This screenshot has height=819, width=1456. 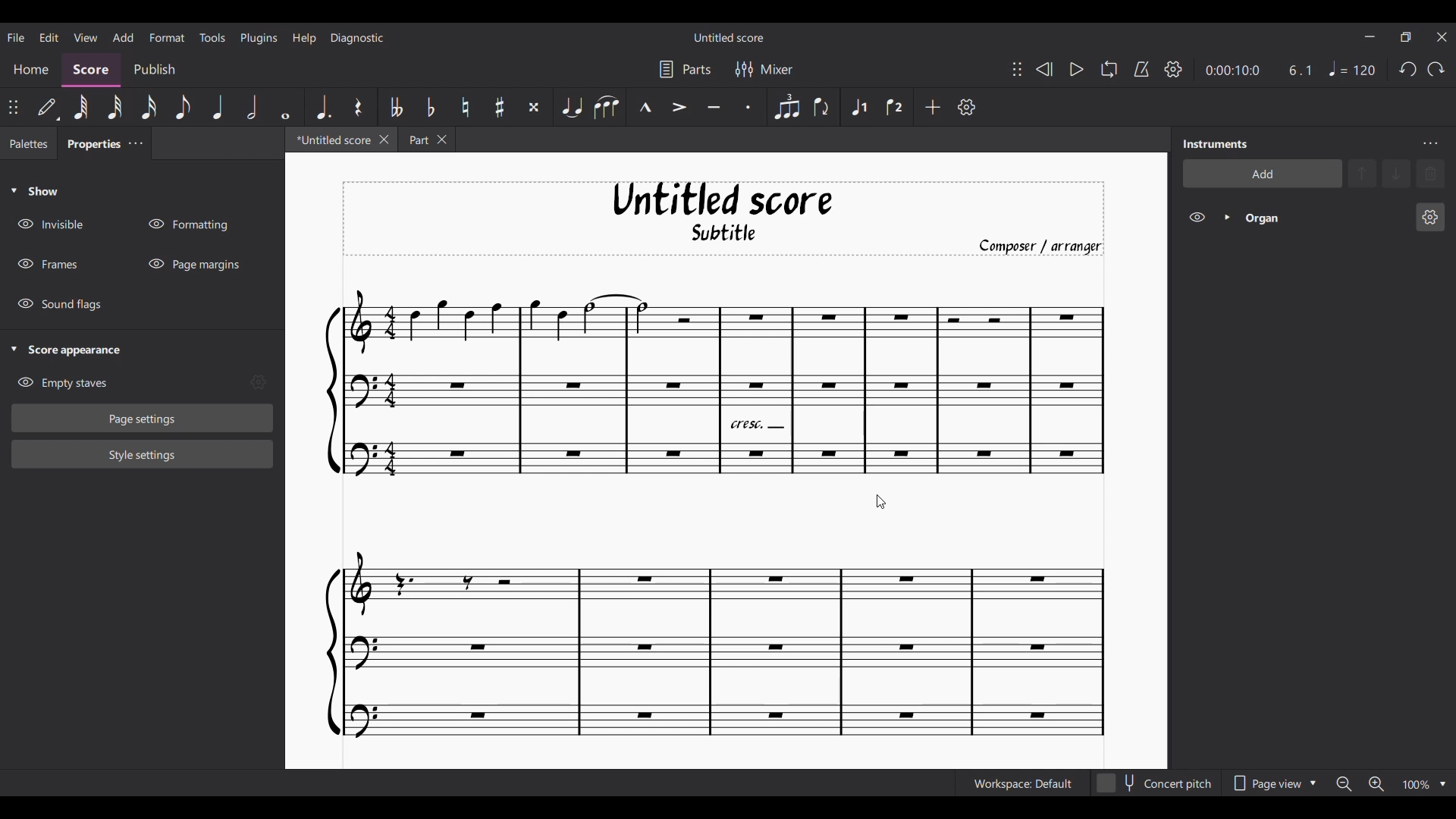 I want to click on Edit menu, so click(x=49, y=36).